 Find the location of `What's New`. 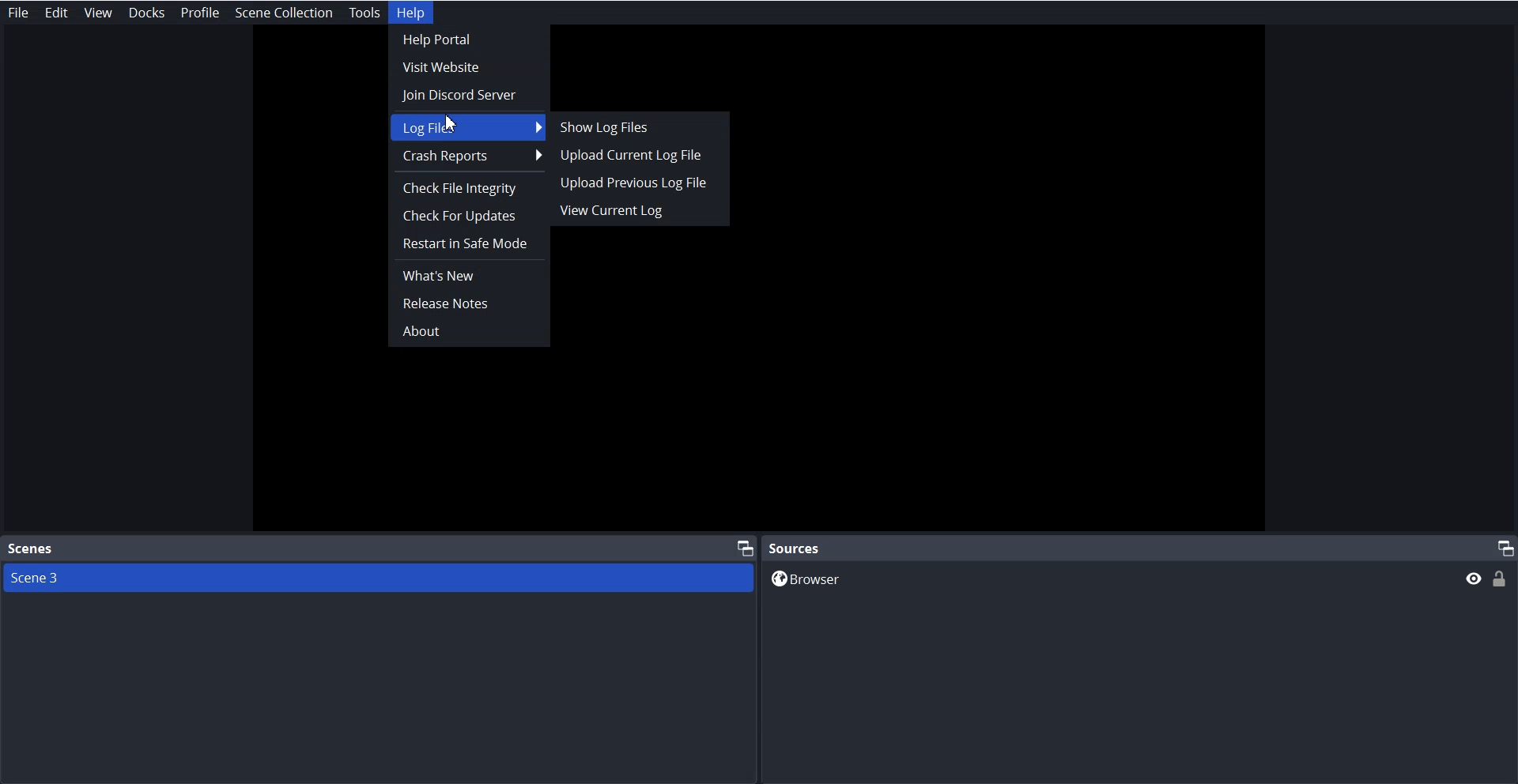

What's New is located at coordinates (467, 274).